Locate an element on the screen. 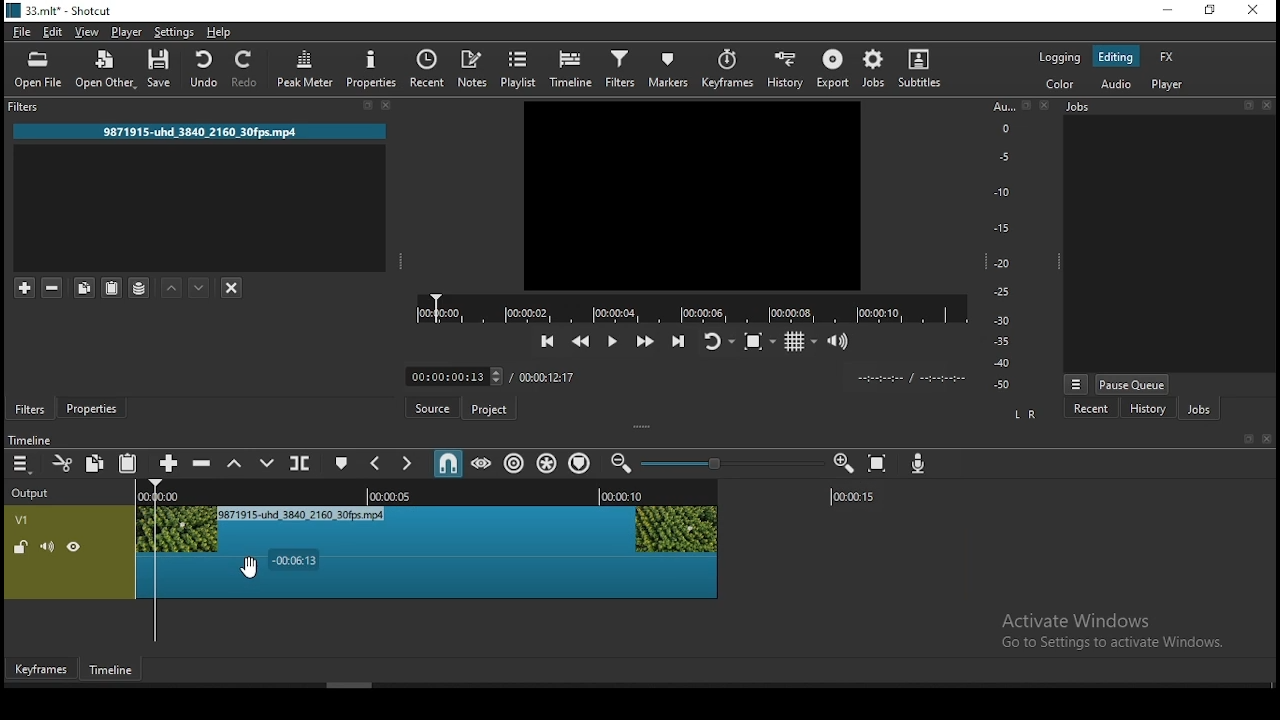  save is located at coordinates (164, 70).